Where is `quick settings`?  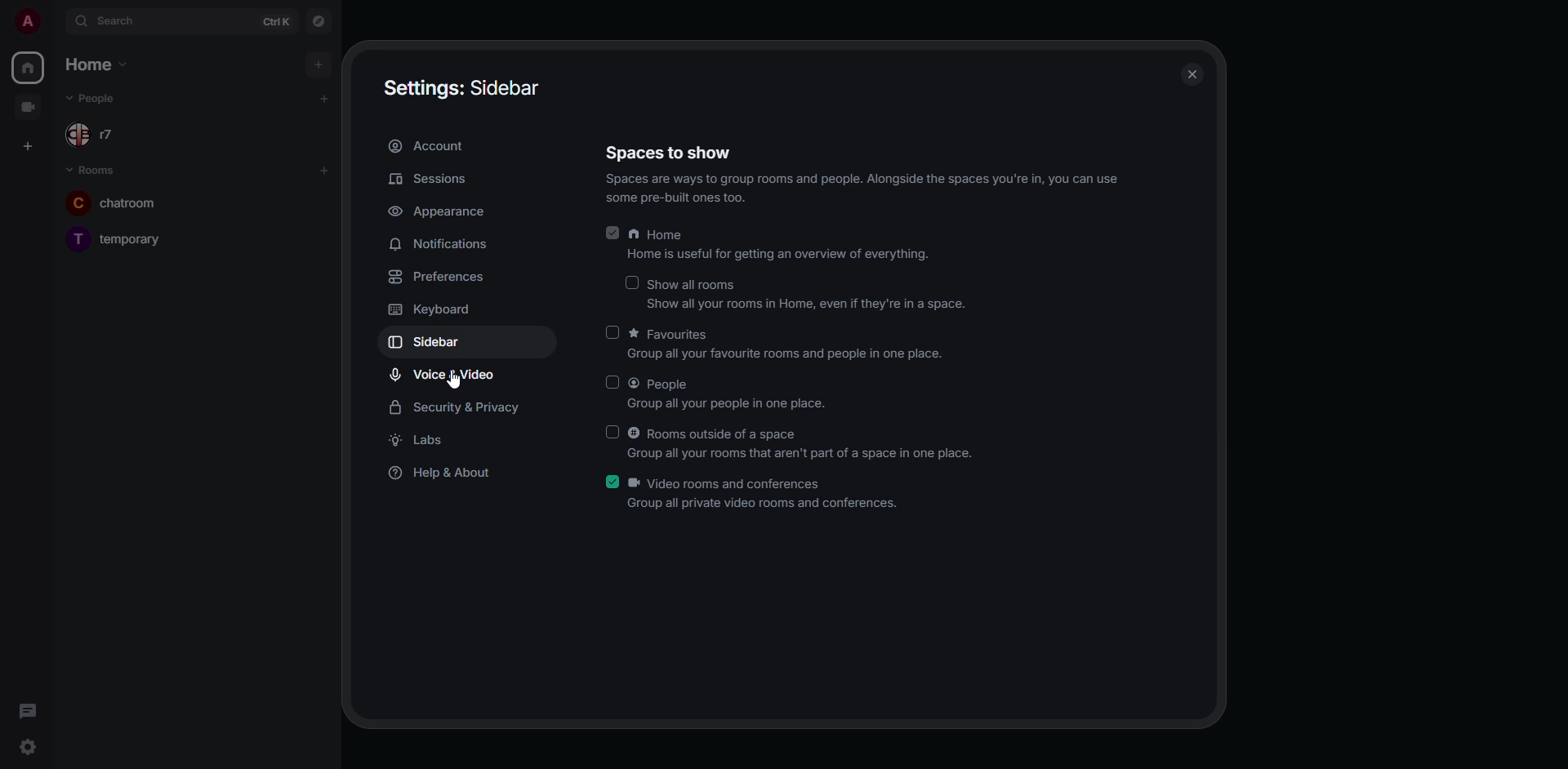 quick settings is located at coordinates (26, 745).